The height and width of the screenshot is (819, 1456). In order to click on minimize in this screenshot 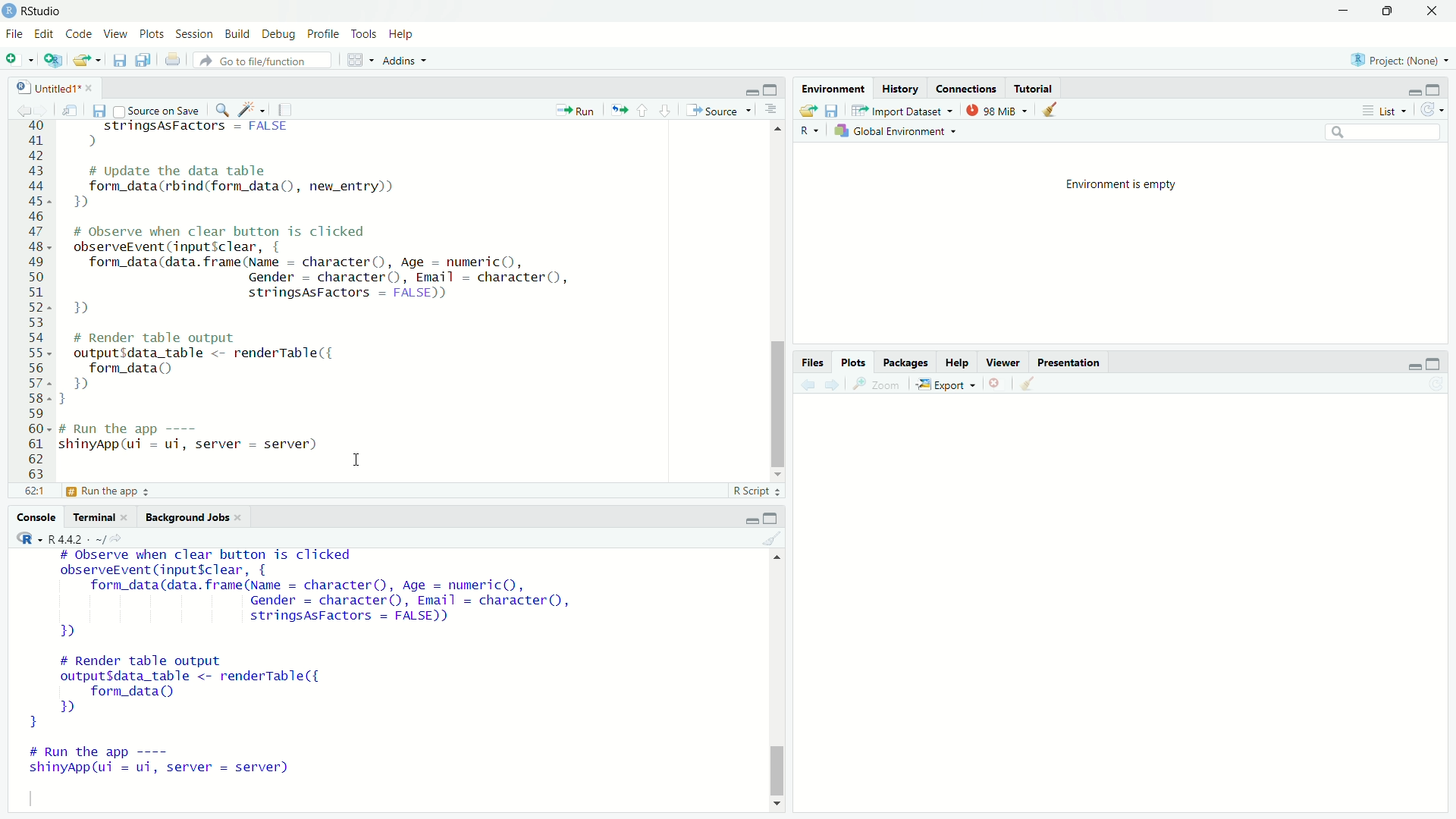, I will do `click(1346, 10)`.